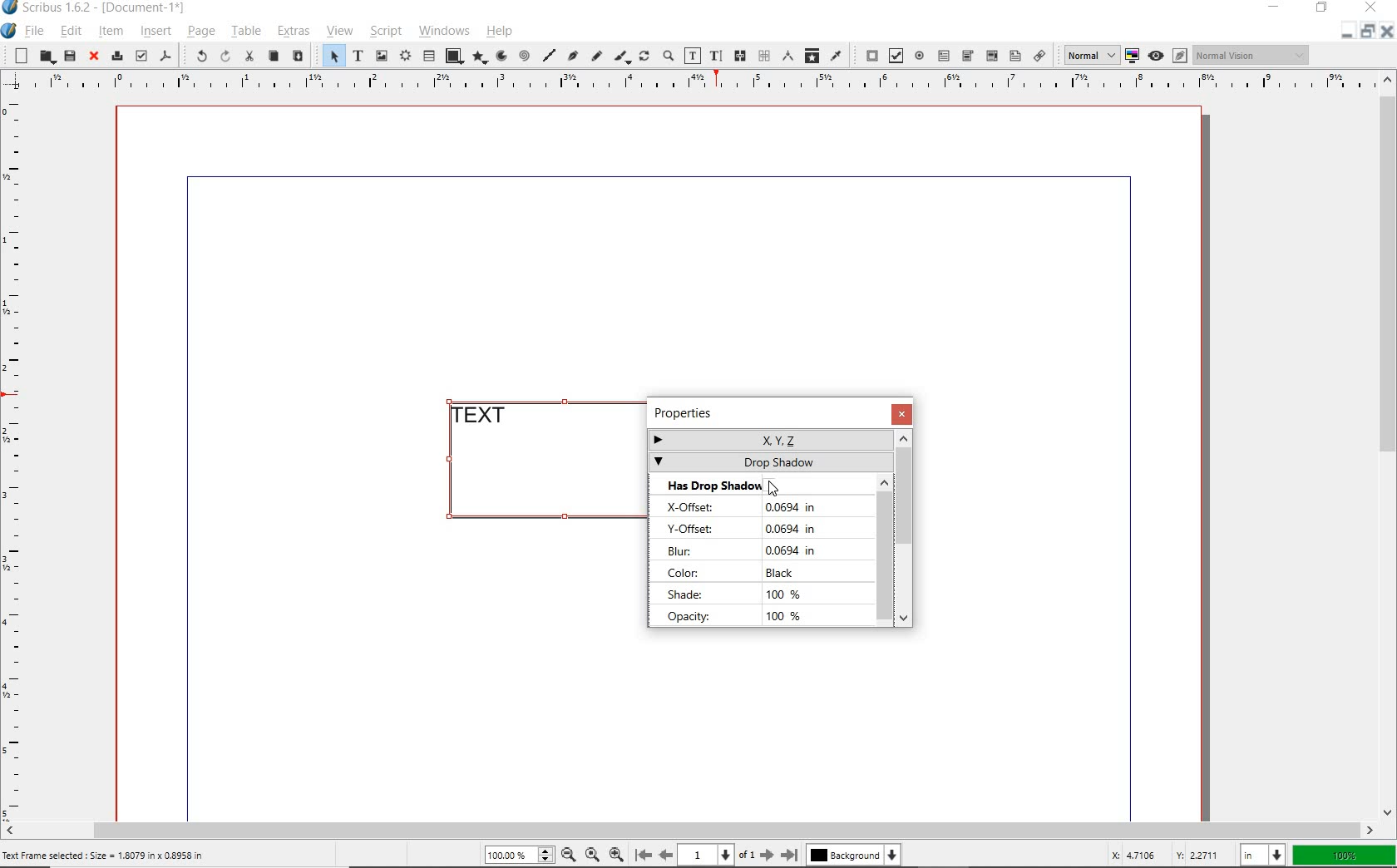 The image size is (1397, 868). What do you see at coordinates (499, 33) in the screenshot?
I see `help` at bounding box center [499, 33].